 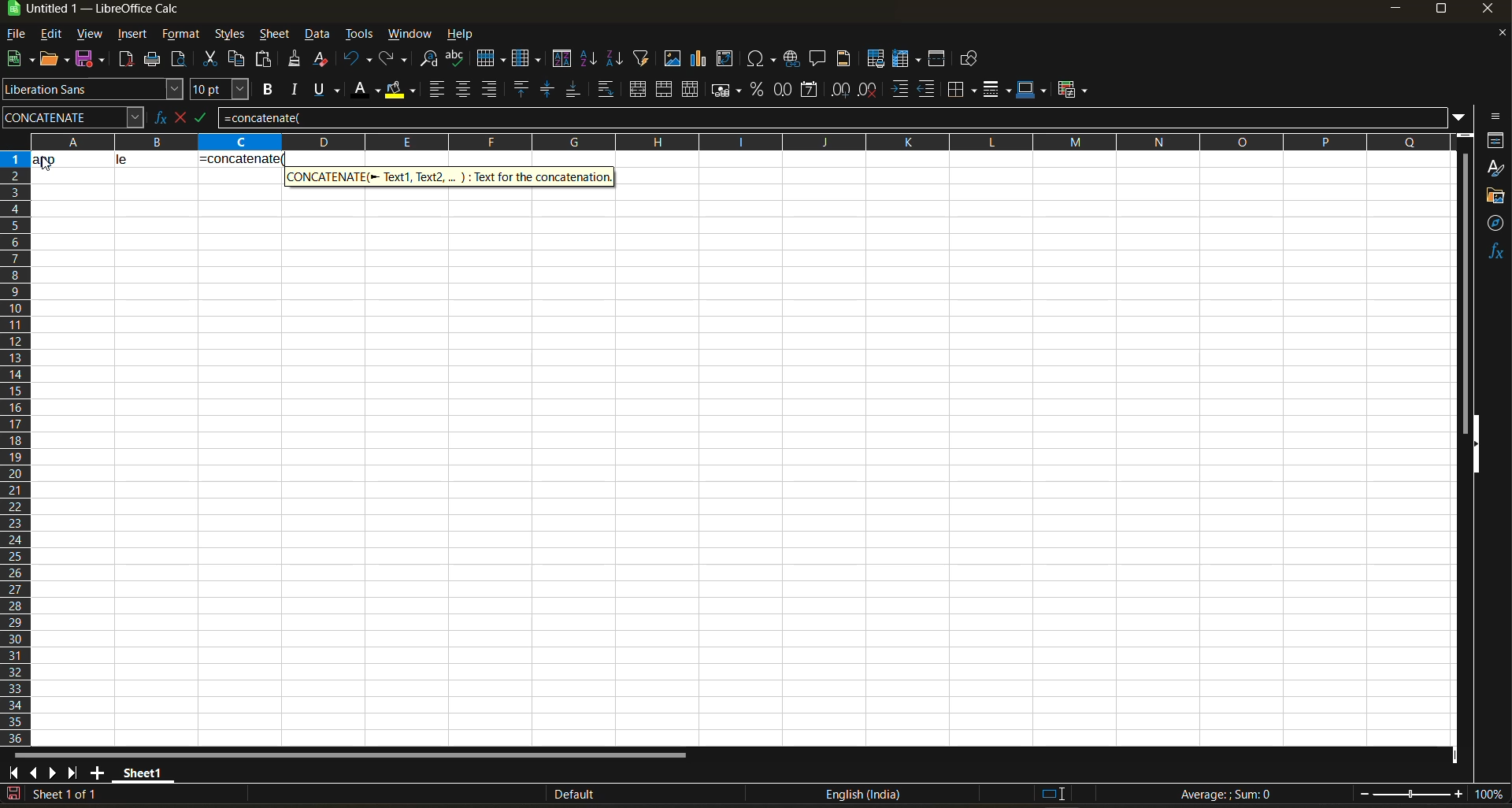 I want to click on vertical scroll bar, so click(x=1465, y=282).